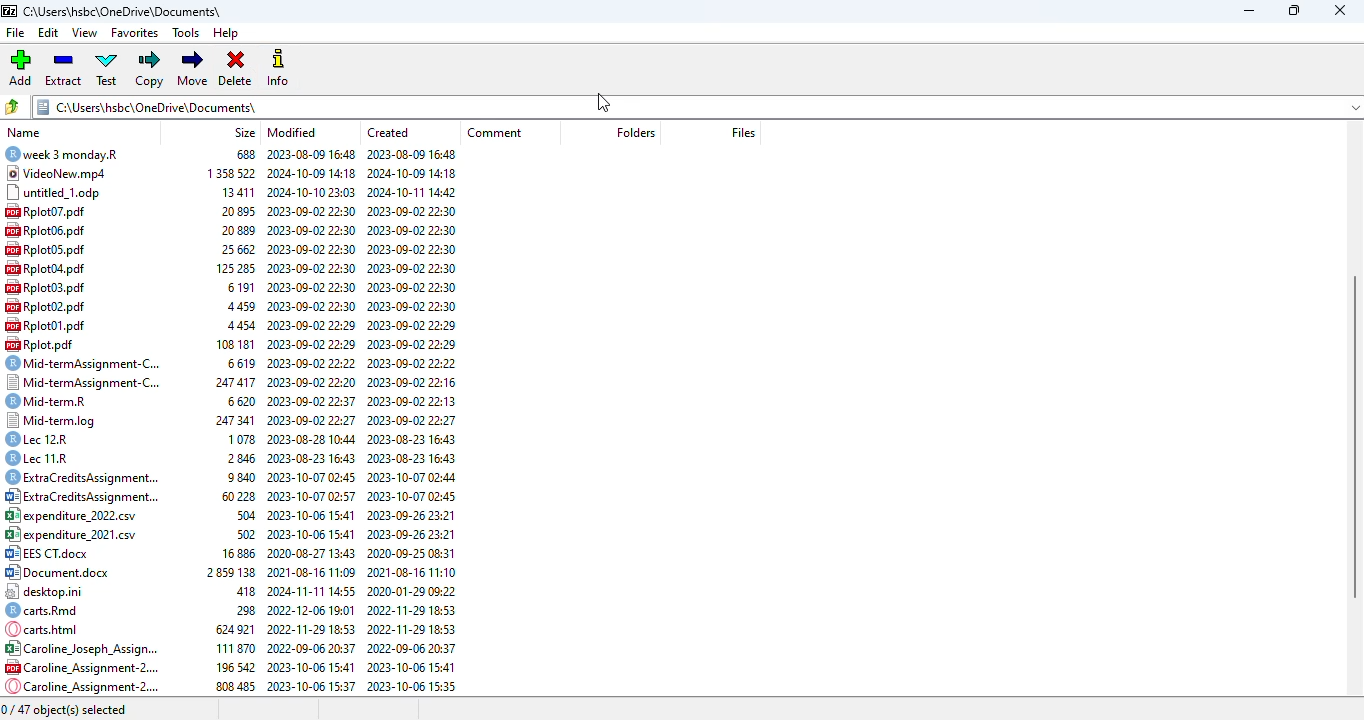 The height and width of the screenshot is (720, 1364). I want to click on 60228, so click(234, 496).